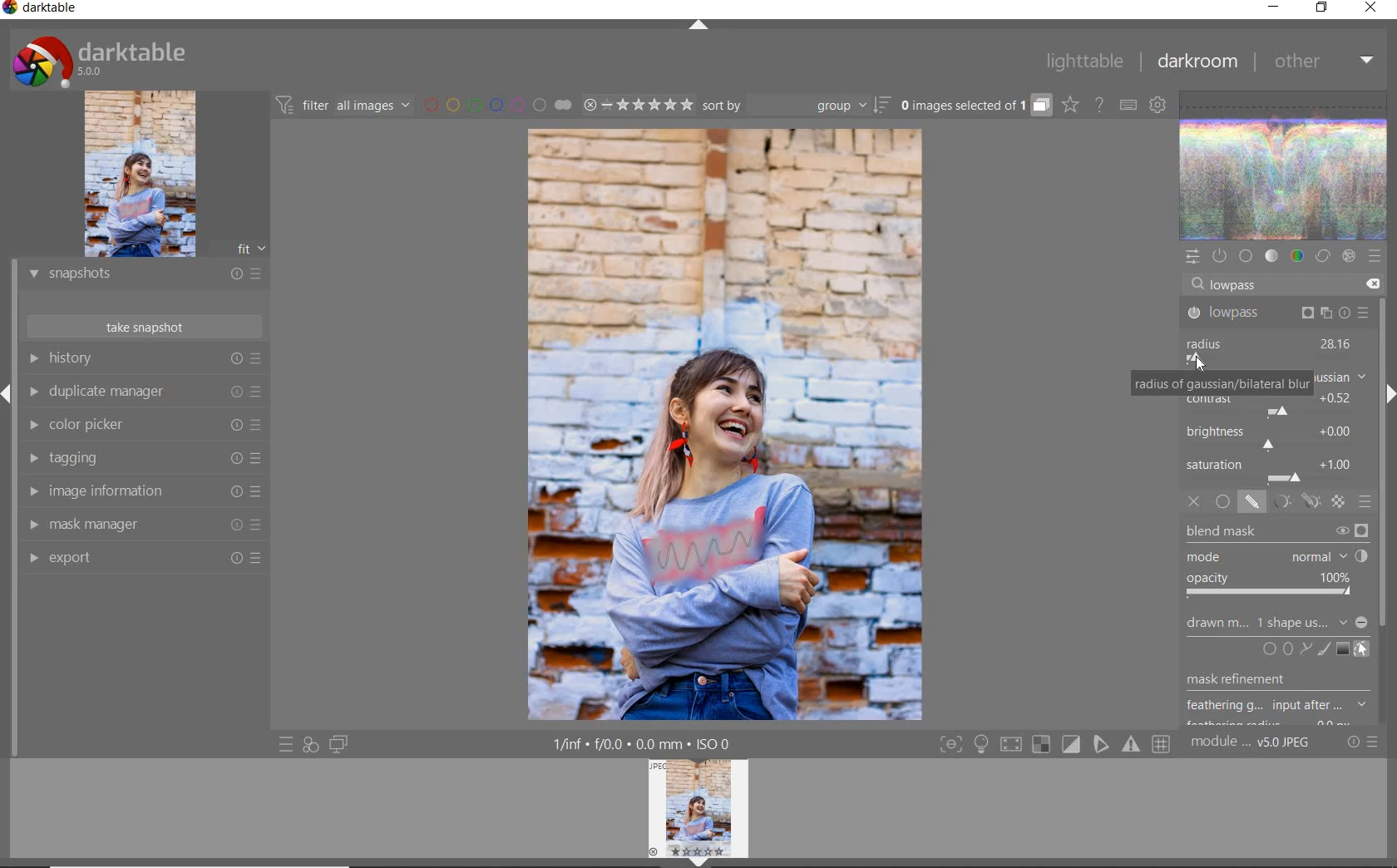  I want to click on image preview, so click(163, 173).